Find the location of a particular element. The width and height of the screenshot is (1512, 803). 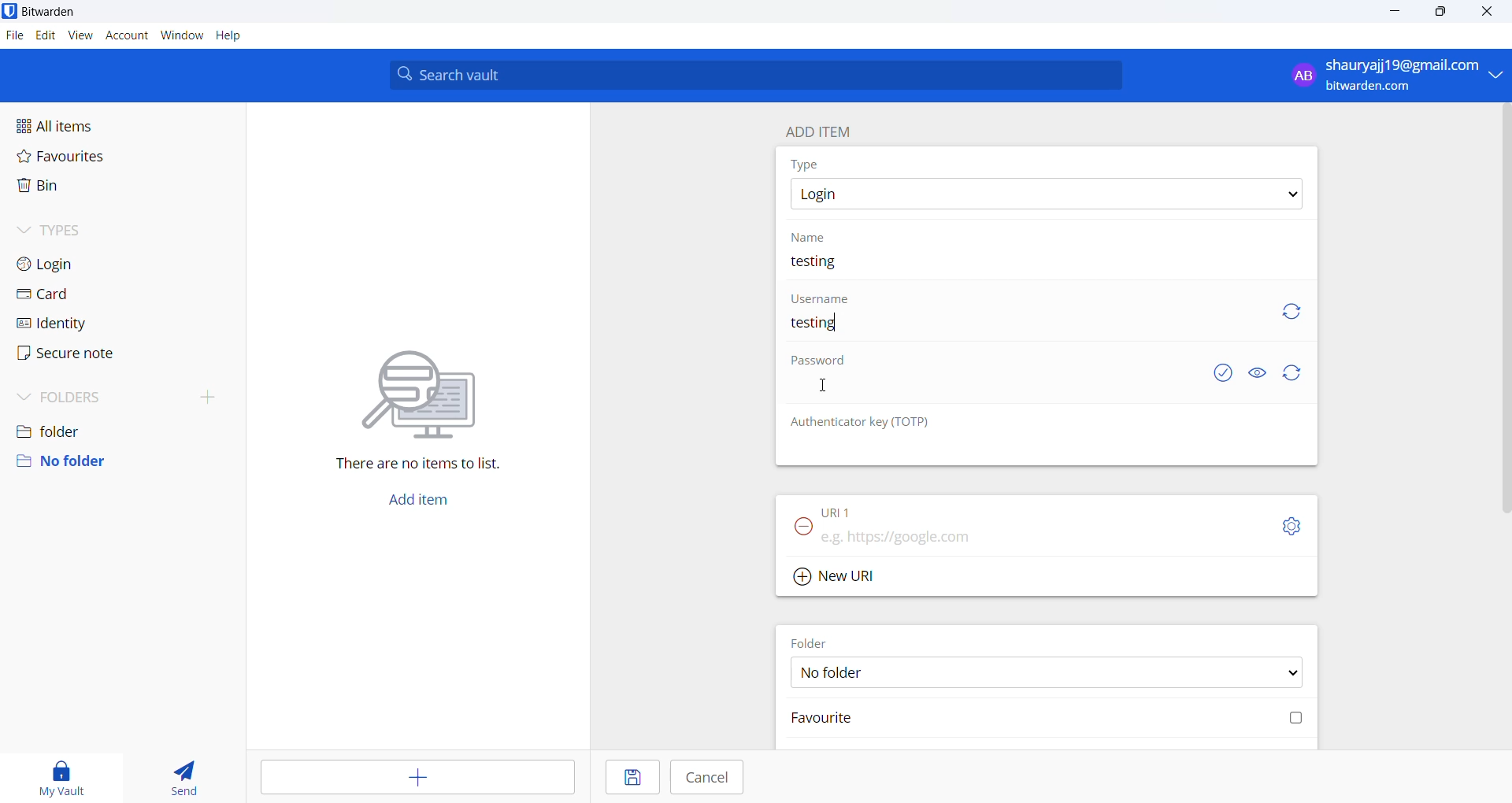

OTP heading: Authenticator key (TOTP) is located at coordinates (865, 422).